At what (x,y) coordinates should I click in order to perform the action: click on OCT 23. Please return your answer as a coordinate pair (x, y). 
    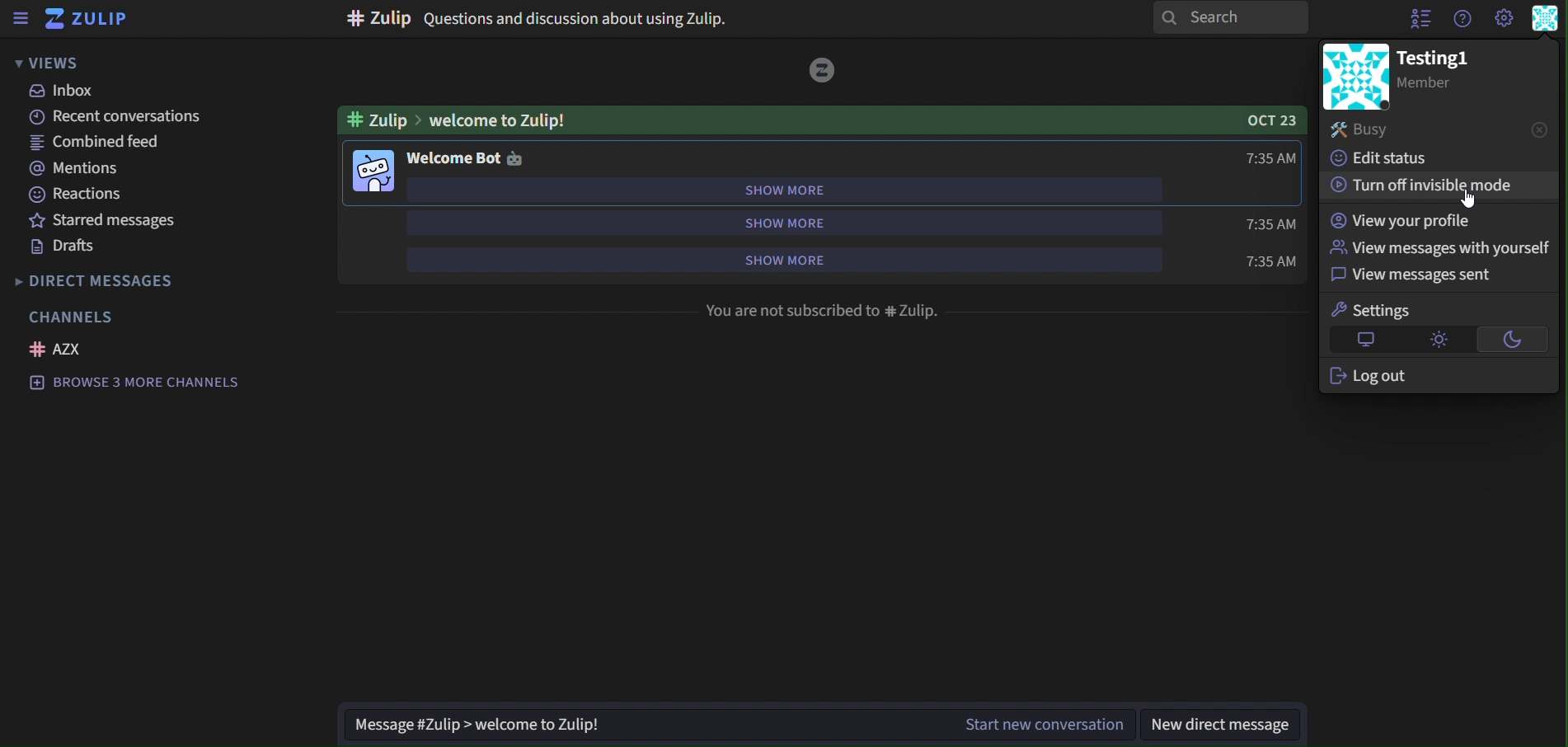
    Looking at the image, I should click on (1270, 120).